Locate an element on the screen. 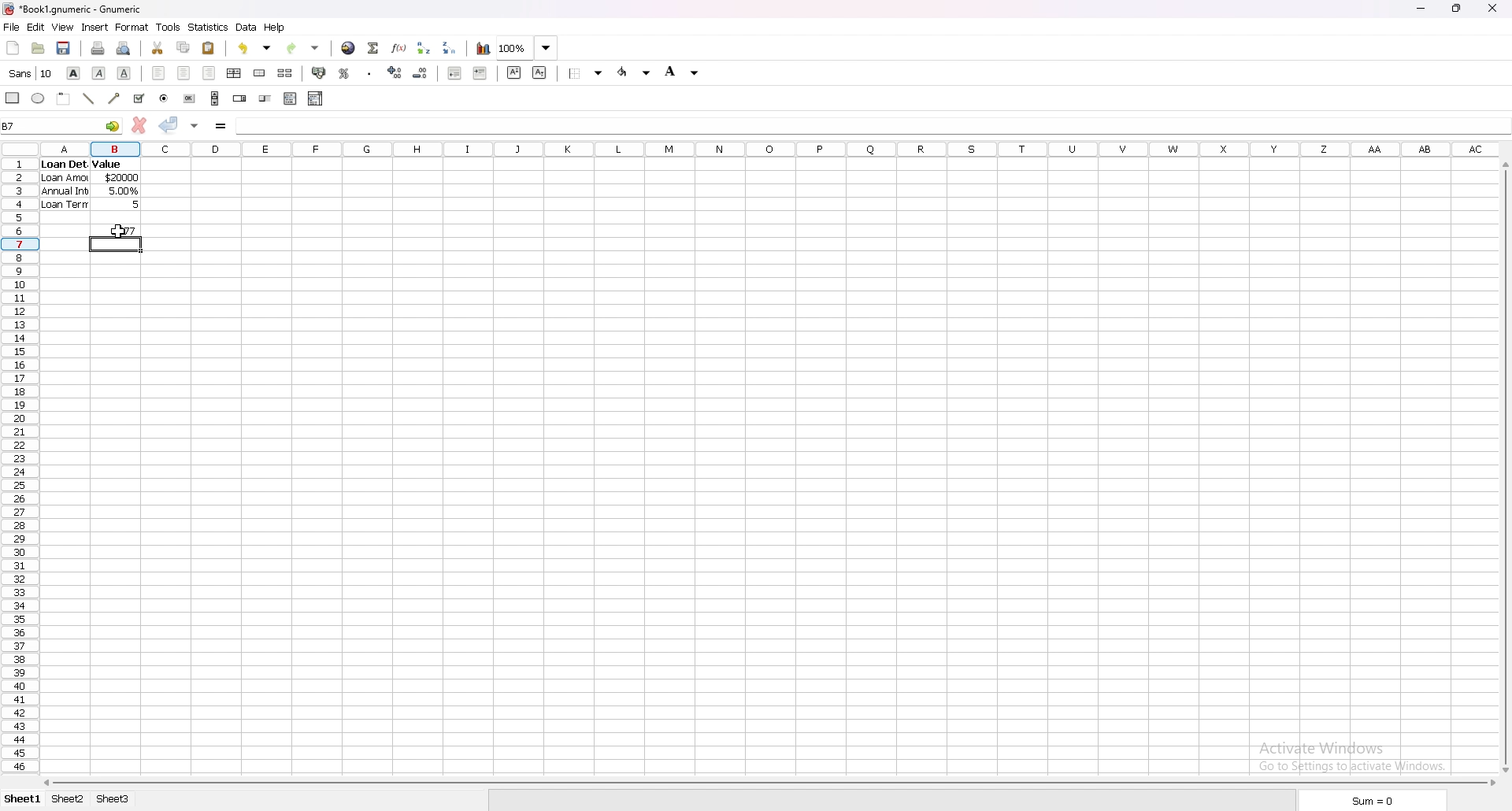 The height and width of the screenshot is (811, 1512). data is located at coordinates (92, 186).